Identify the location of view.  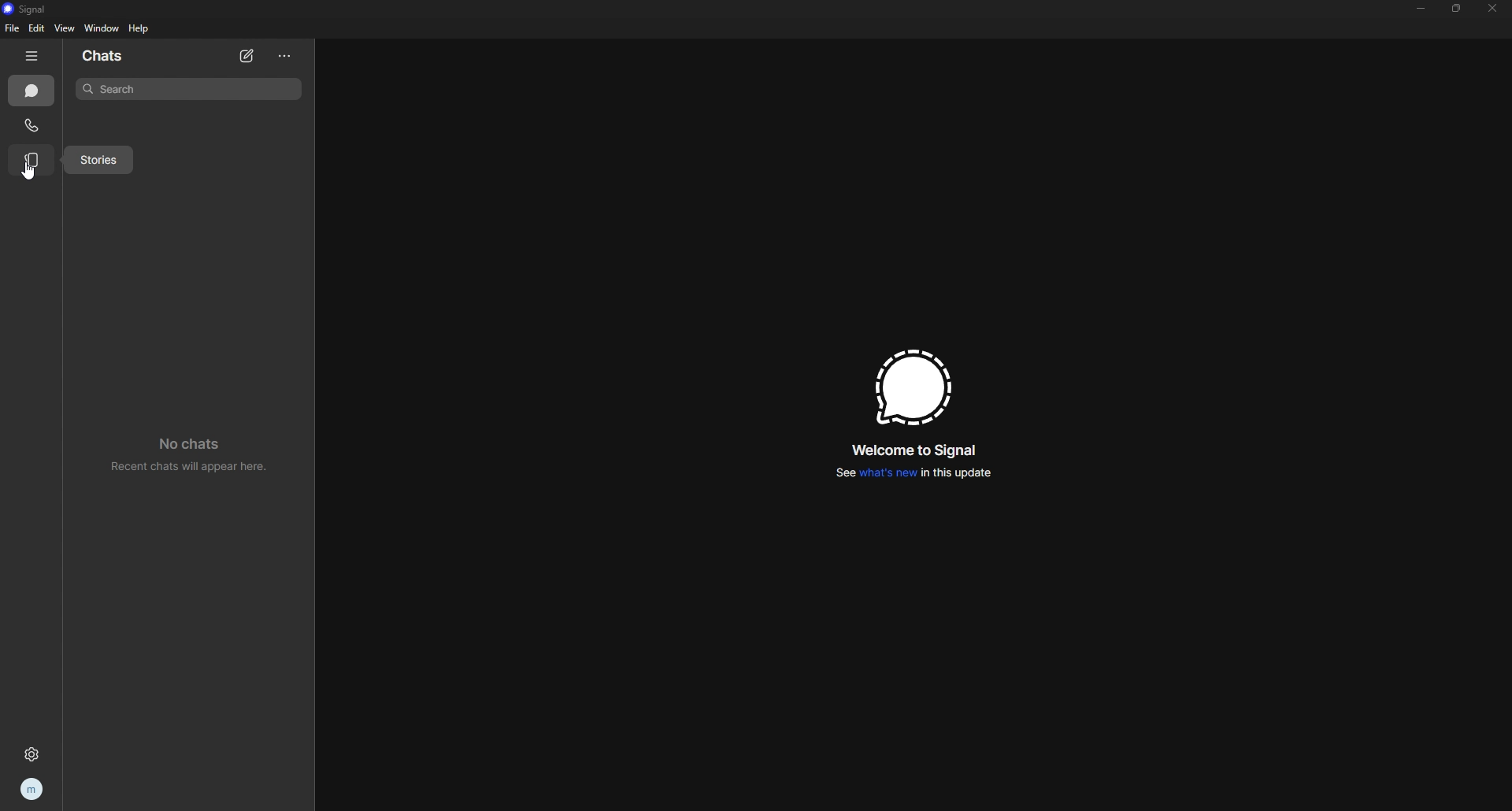
(64, 28).